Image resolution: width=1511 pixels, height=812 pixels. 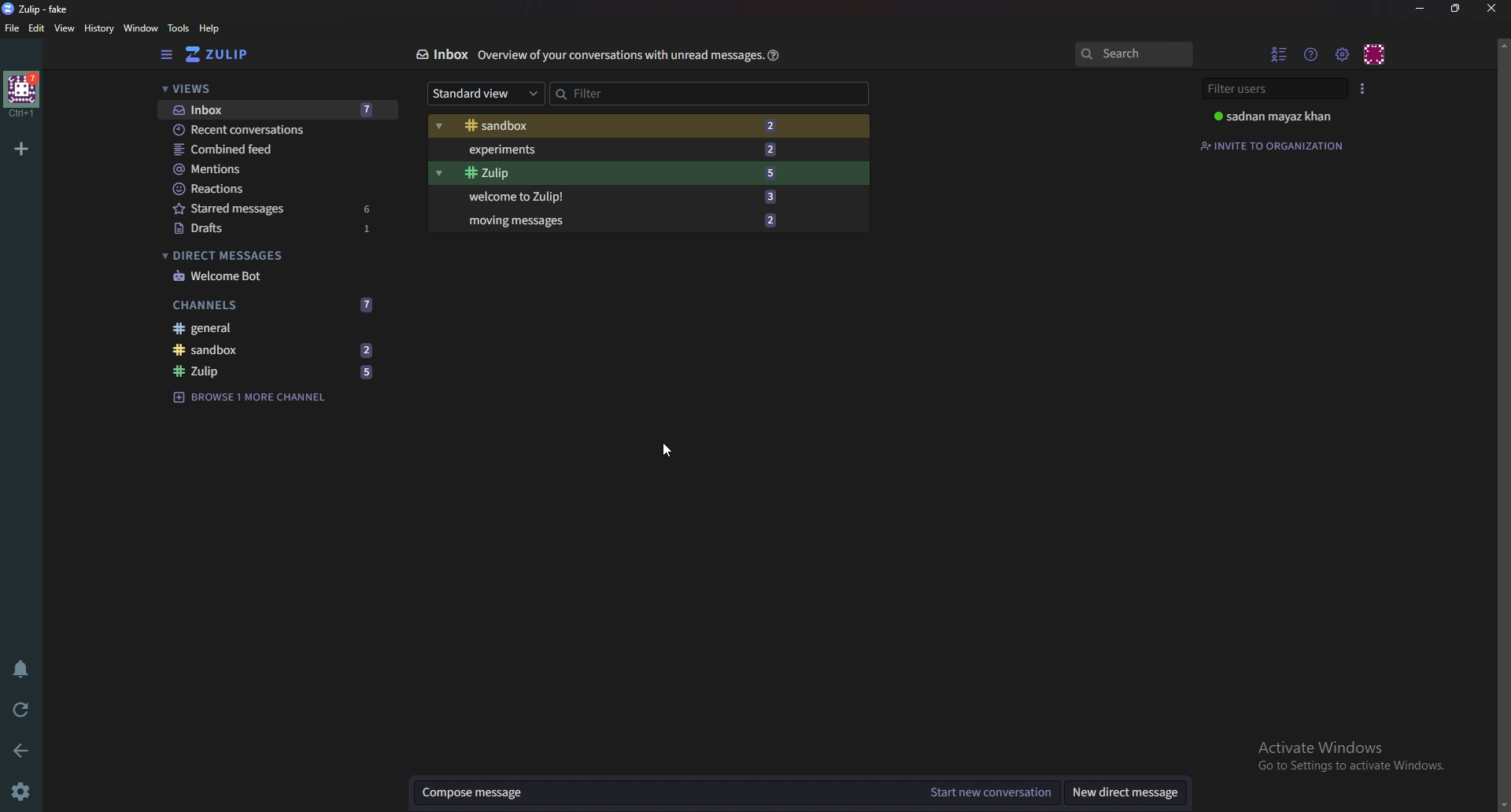 What do you see at coordinates (1273, 89) in the screenshot?
I see `Filter users` at bounding box center [1273, 89].